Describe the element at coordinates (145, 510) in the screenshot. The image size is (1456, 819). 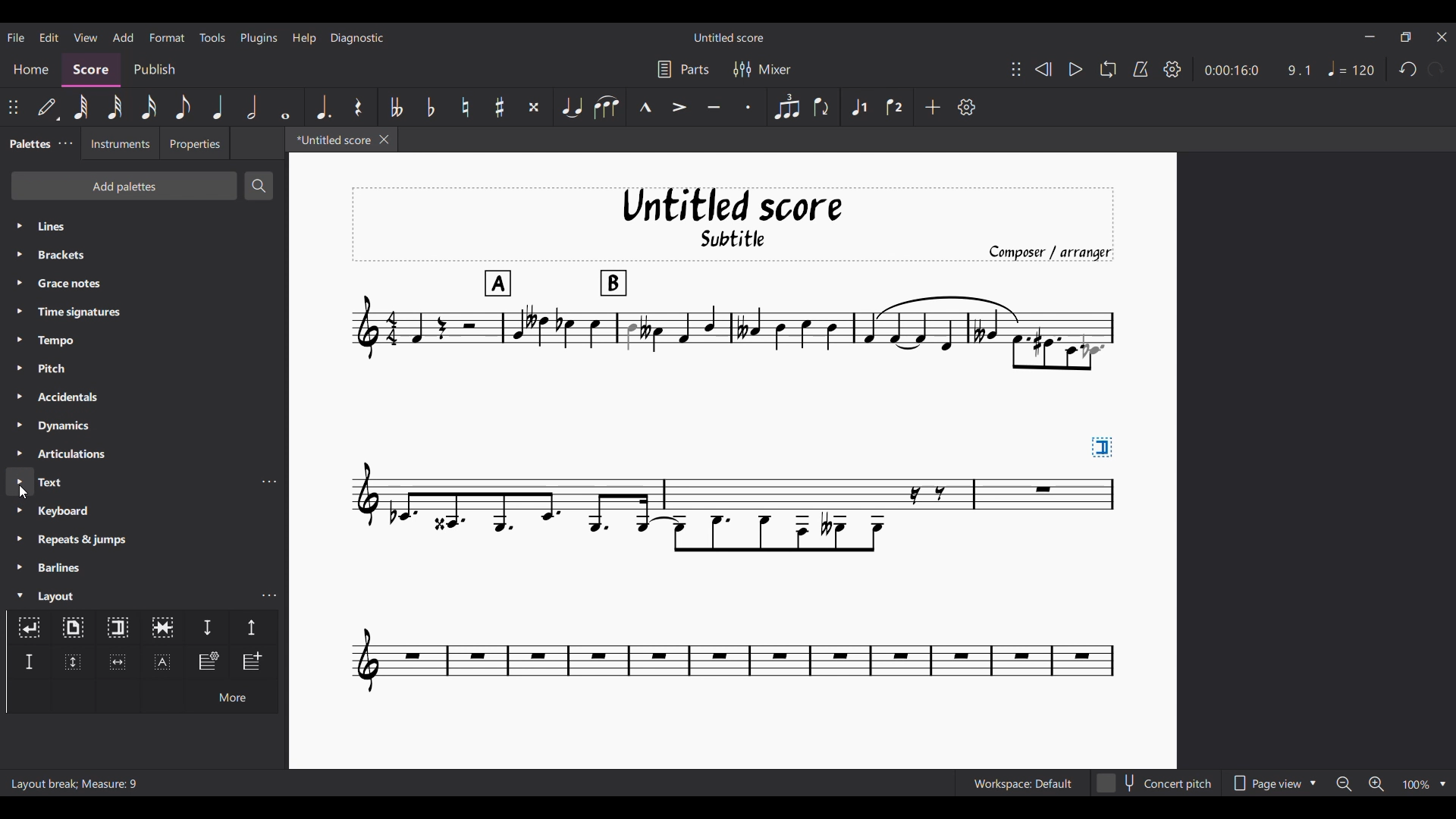
I see `Keyboard` at that location.